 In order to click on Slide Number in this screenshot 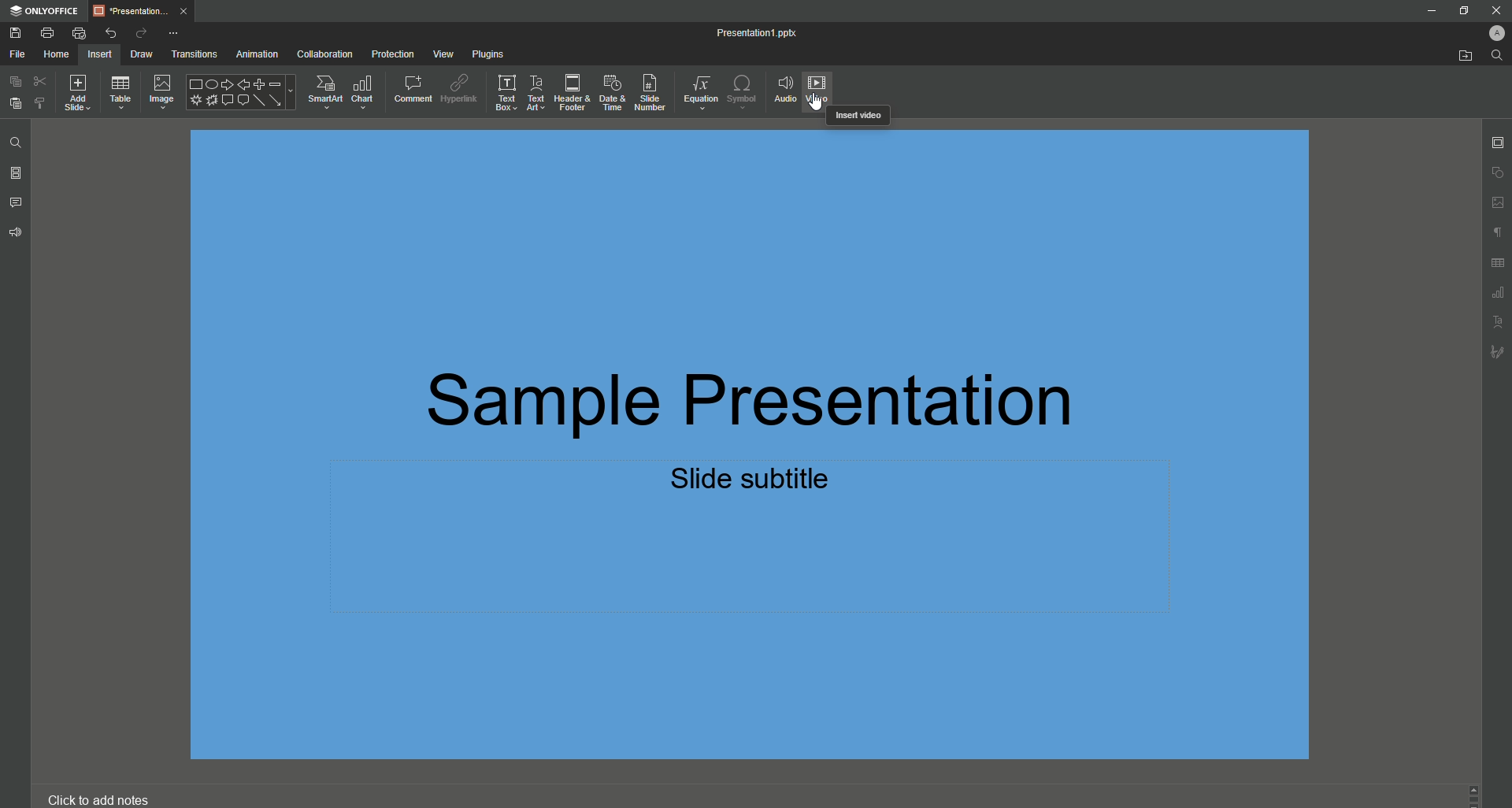, I will do `click(648, 91)`.